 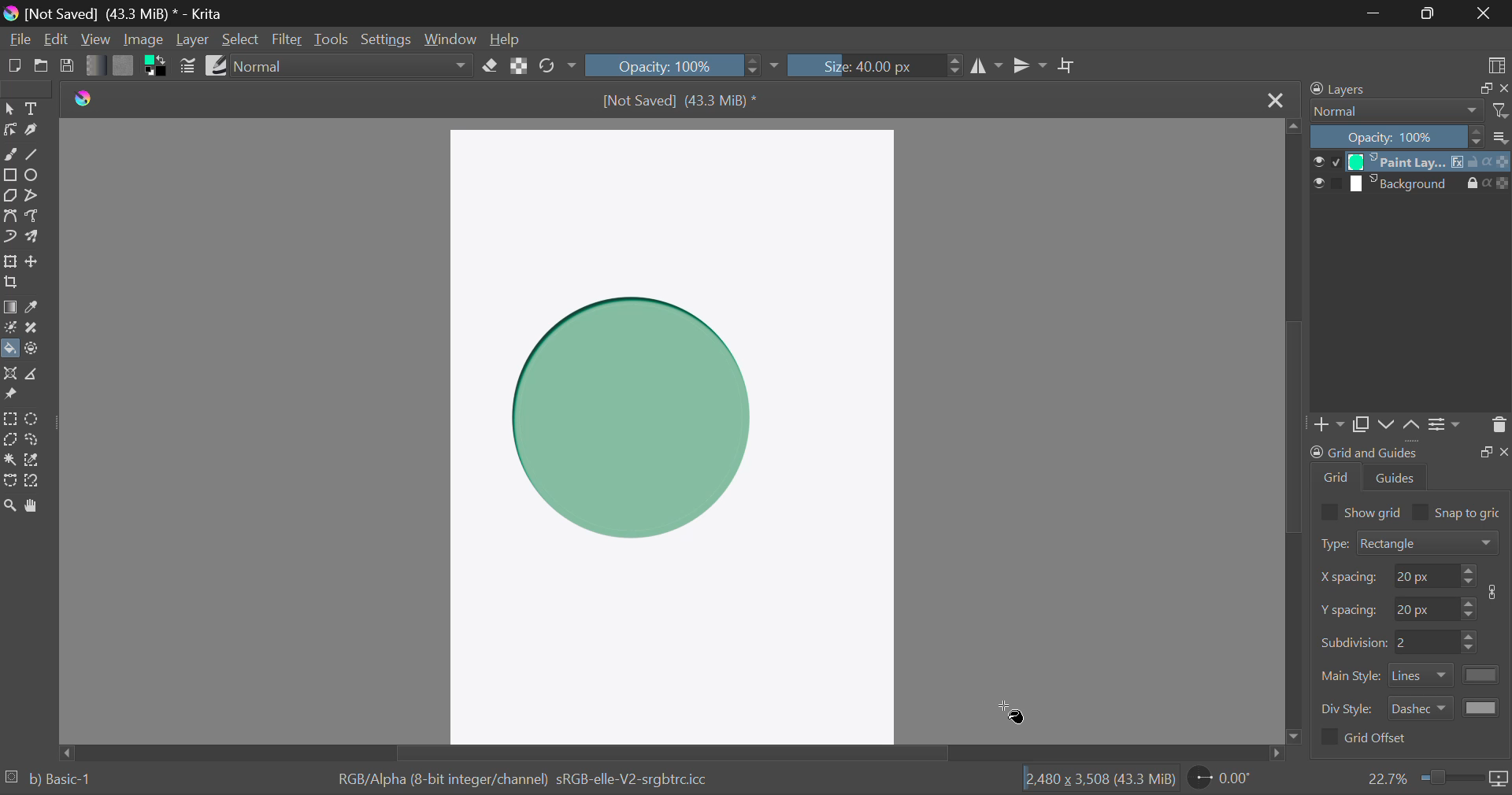 What do you see at coordinates (1096, 780) in the screenshot?
I see `Document Dimensions` at bounding box center [1096, 780].